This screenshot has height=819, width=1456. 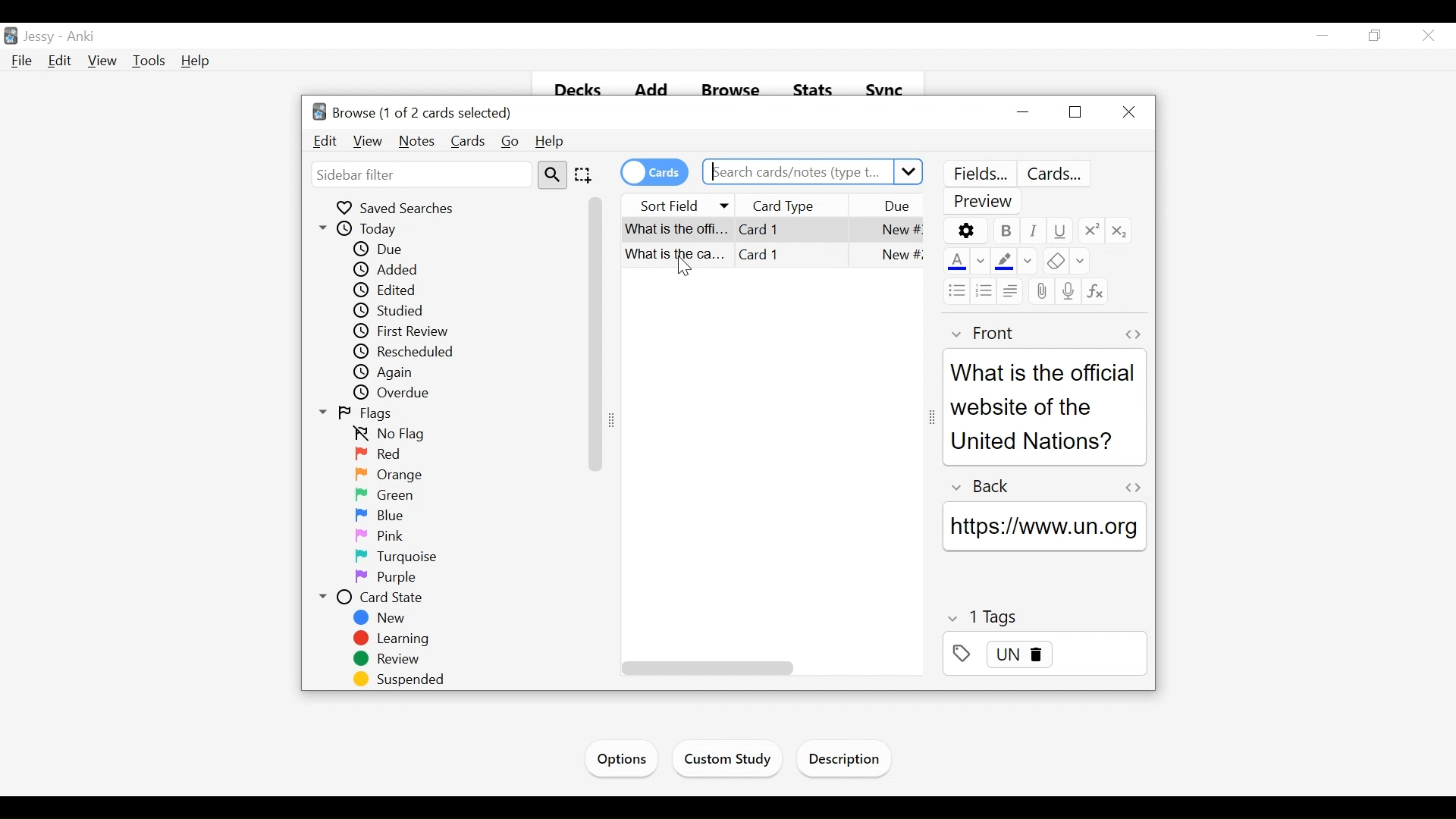 What do you see at coordinates (1427, 35) in the screenshot?
I see `Cursor` at bounding box center [1427, 35].